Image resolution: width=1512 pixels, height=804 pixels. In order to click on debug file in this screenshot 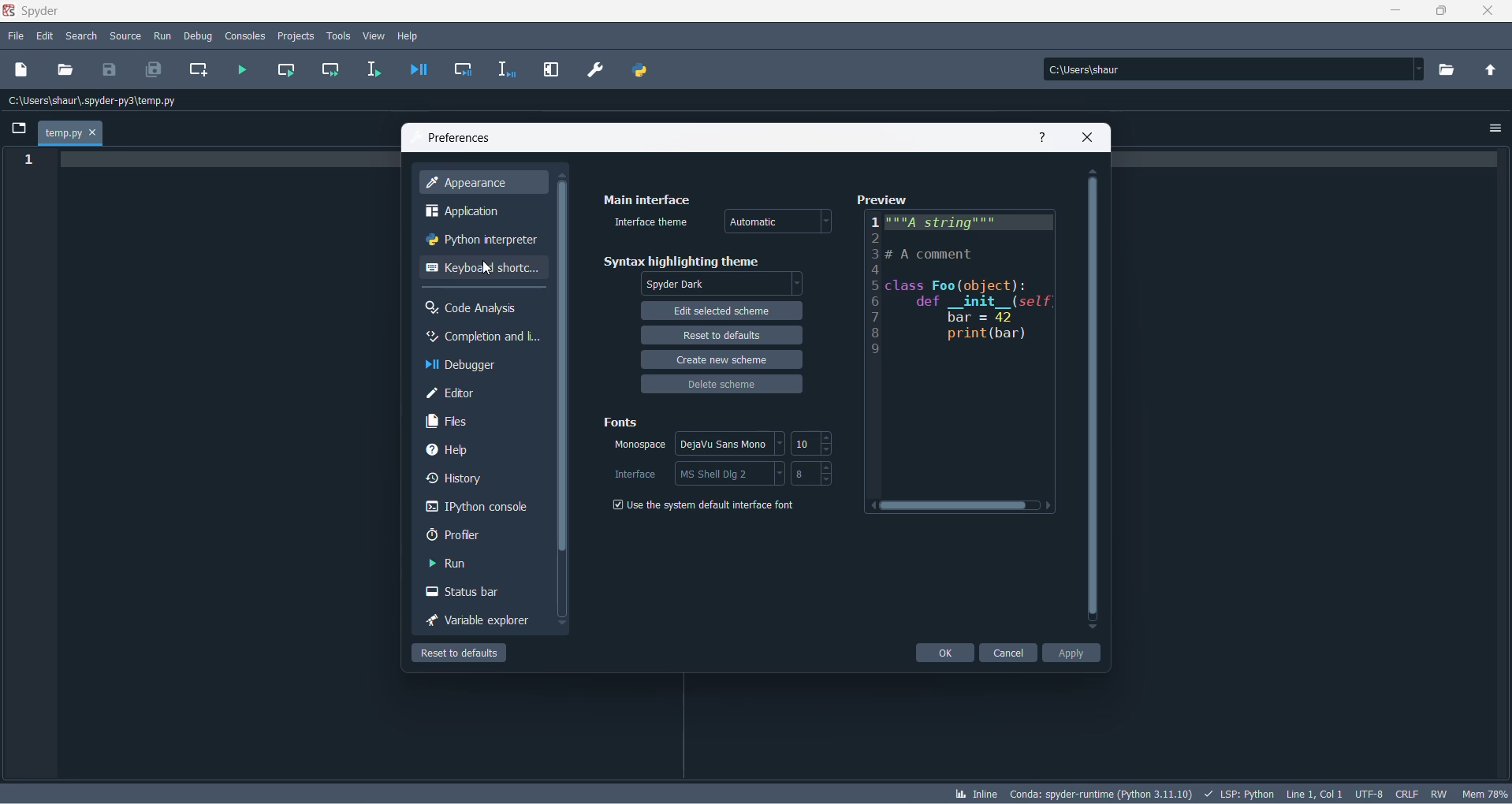, I will do `click(415, 71)`.